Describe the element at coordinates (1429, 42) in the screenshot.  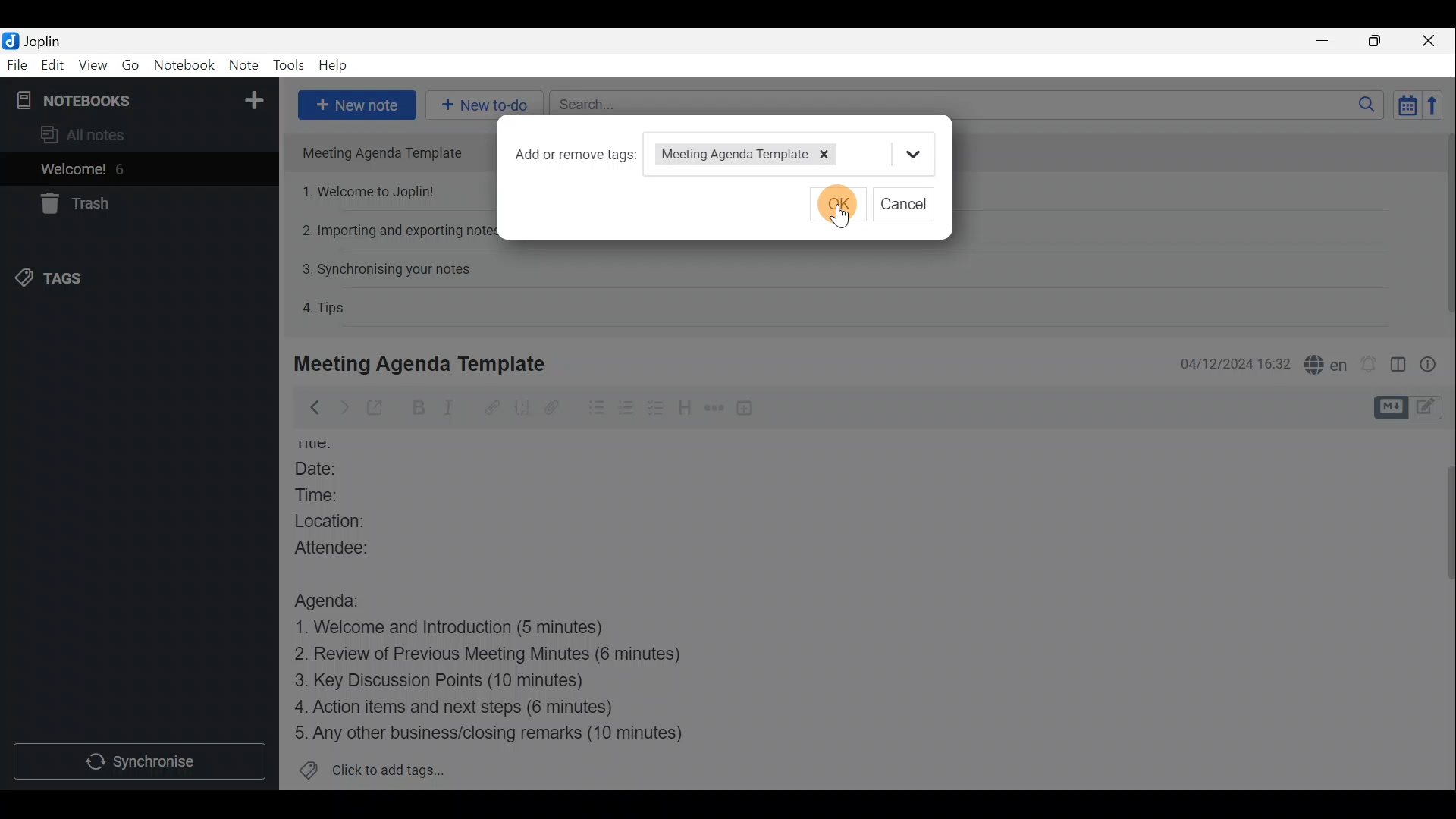
I see `Close` at that location.